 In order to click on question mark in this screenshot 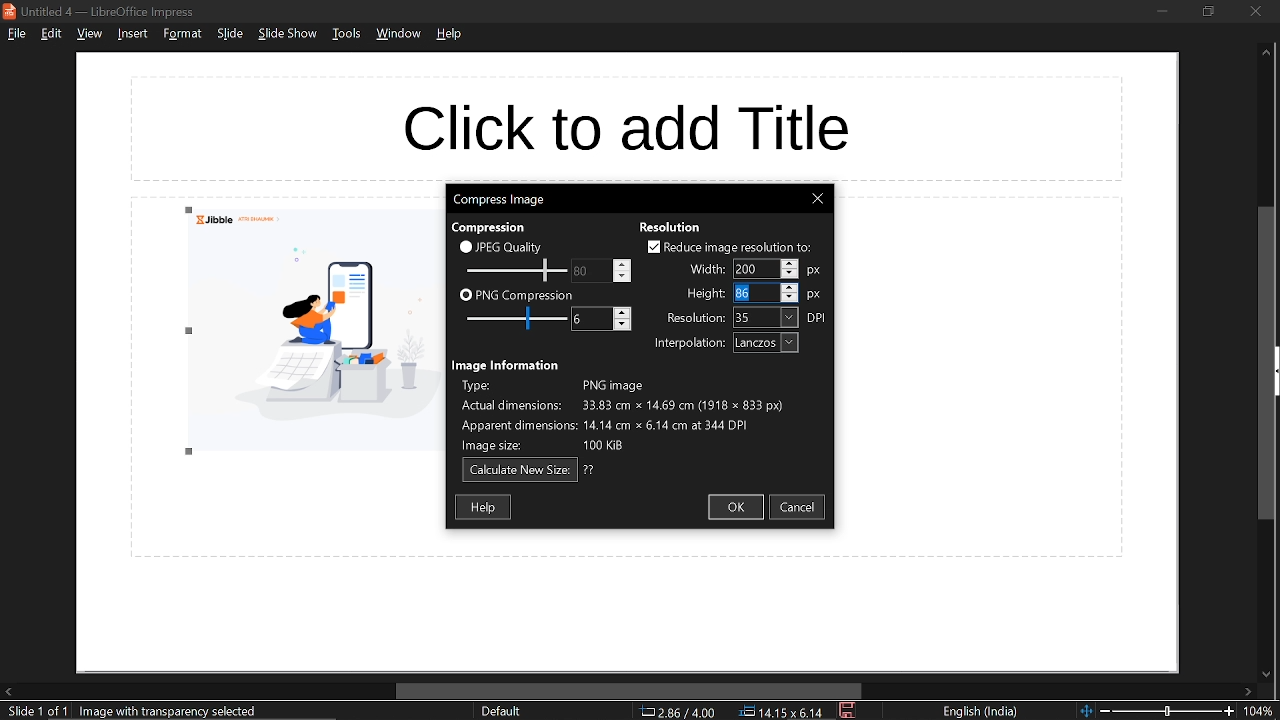, I will do `click(590, 470)`.